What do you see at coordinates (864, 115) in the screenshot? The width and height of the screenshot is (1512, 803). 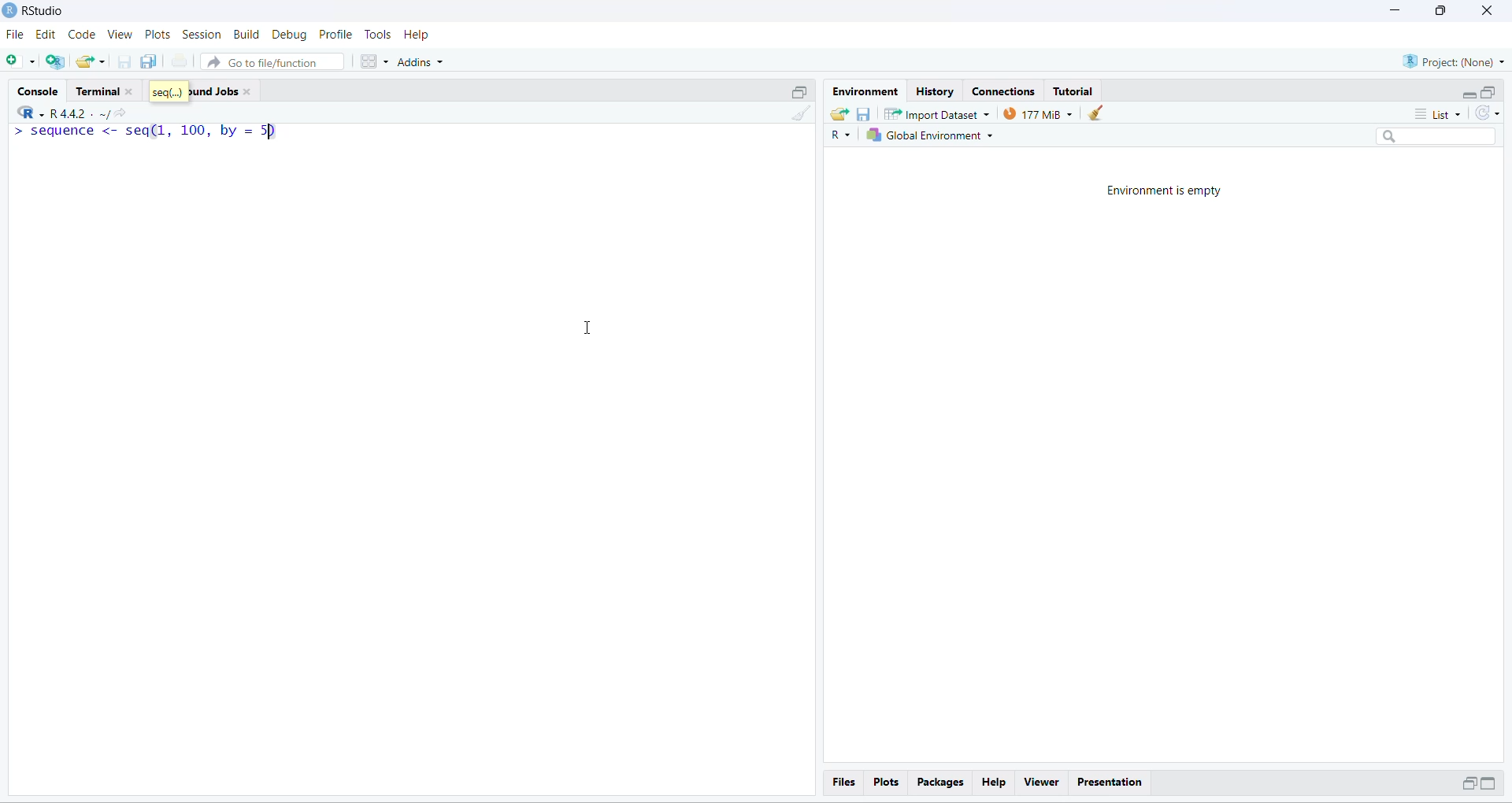 I see `save` at bounding box center [864, 115].